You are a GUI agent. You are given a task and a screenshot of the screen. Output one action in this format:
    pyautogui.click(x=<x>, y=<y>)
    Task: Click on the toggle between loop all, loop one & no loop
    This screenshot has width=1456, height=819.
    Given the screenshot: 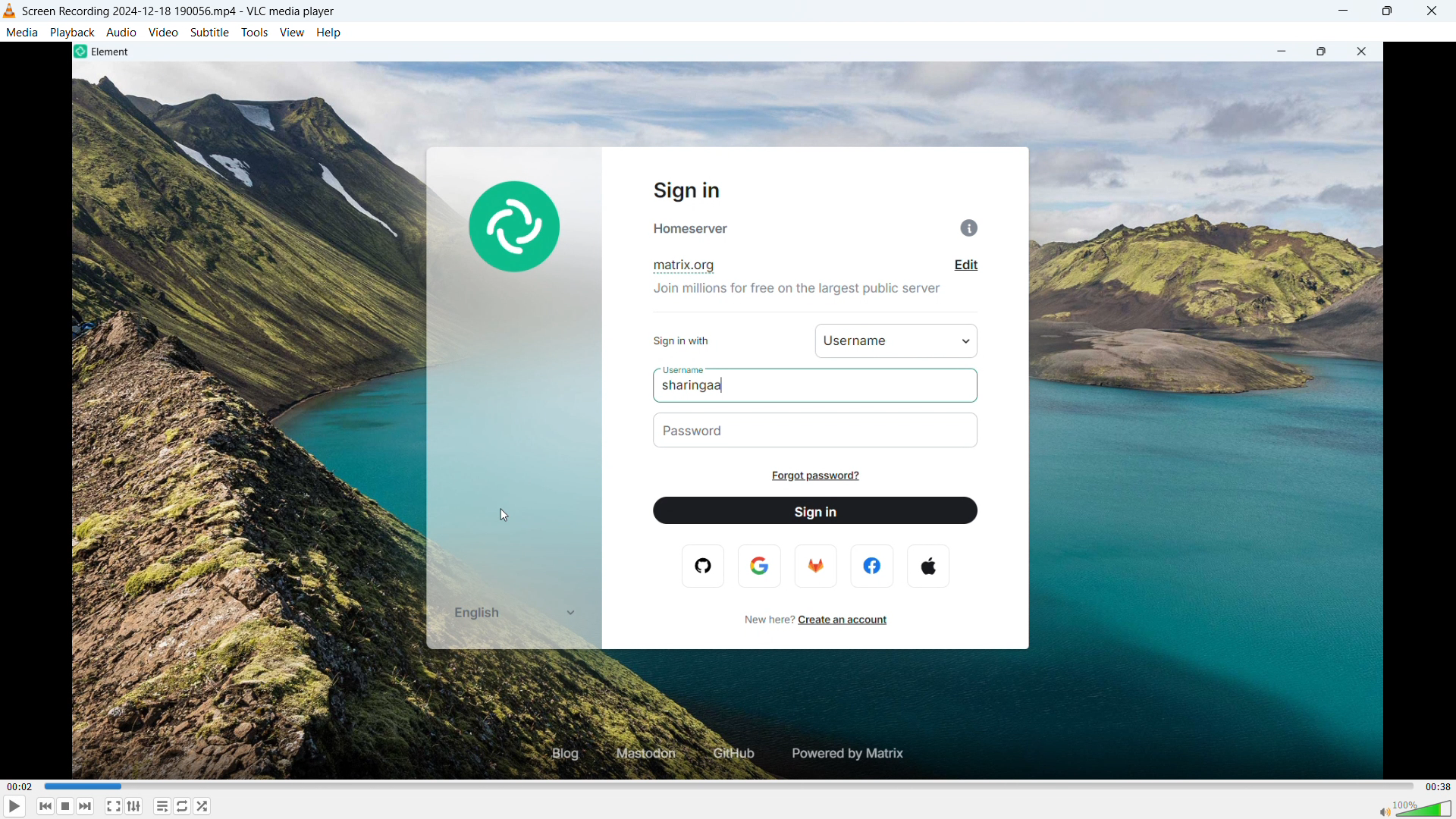 What is the action you would take?
    pyautogui.click(x=182, y=806)
    